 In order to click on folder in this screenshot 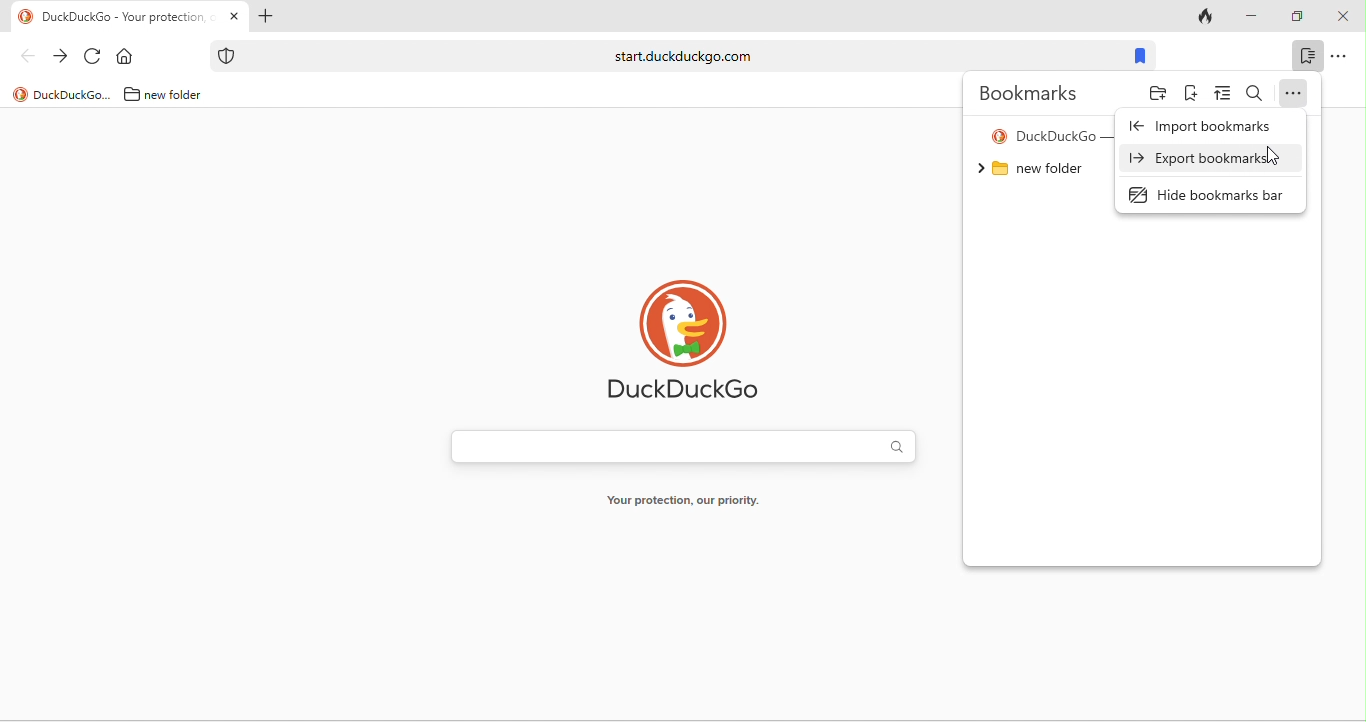, I will do `click(1158, 93)`.